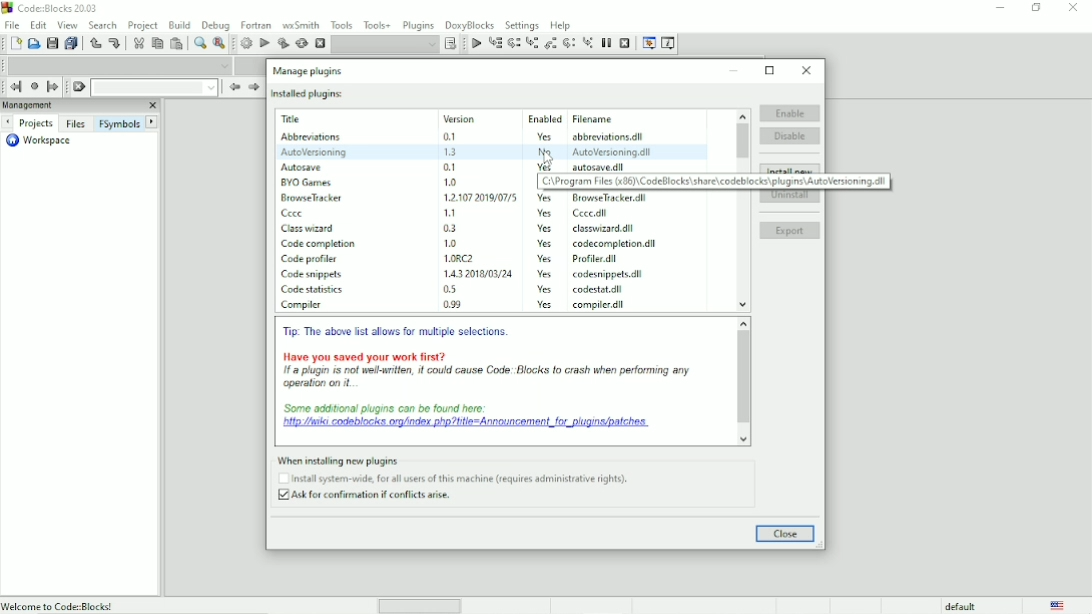 The image size is (1092, 614). Describe the element at coordinates (137, 44) in the screenshot. I see `Cut` at that location.